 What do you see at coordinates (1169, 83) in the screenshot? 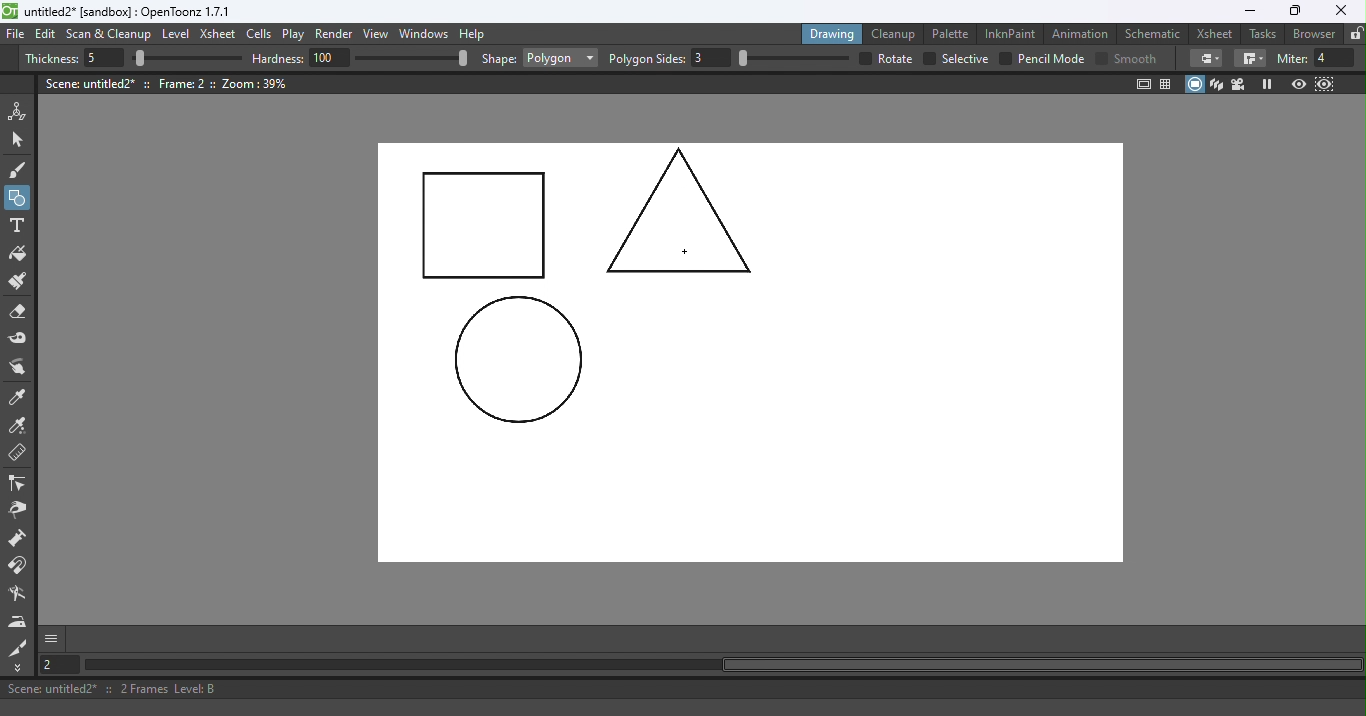
I see `Field guide` at bounding box center [1169, 83].